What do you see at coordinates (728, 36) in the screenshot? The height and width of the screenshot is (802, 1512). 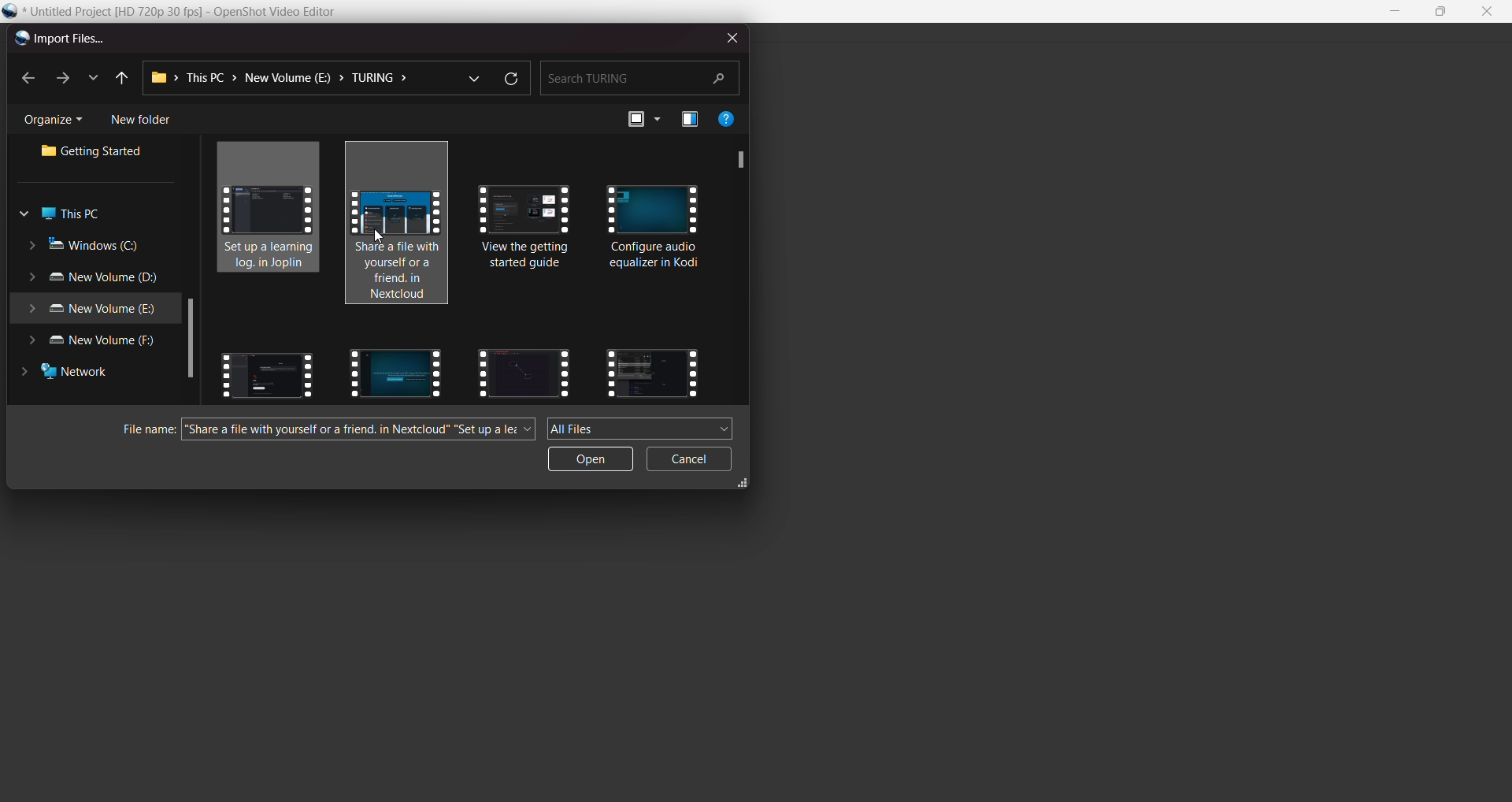 I see `close dialog` at bounding box center [728, 36].